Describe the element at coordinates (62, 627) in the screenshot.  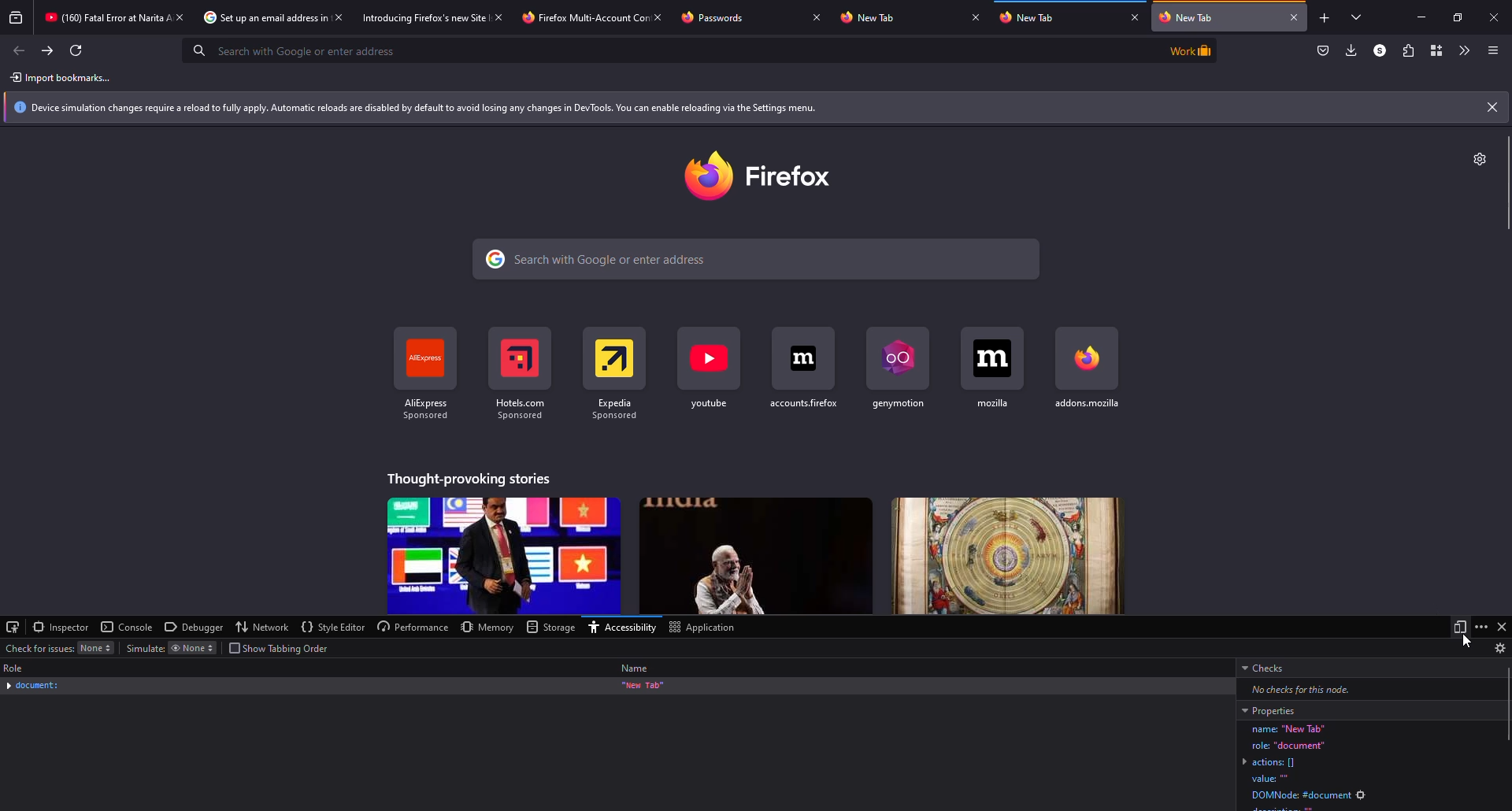
I see `inspector` at that location.